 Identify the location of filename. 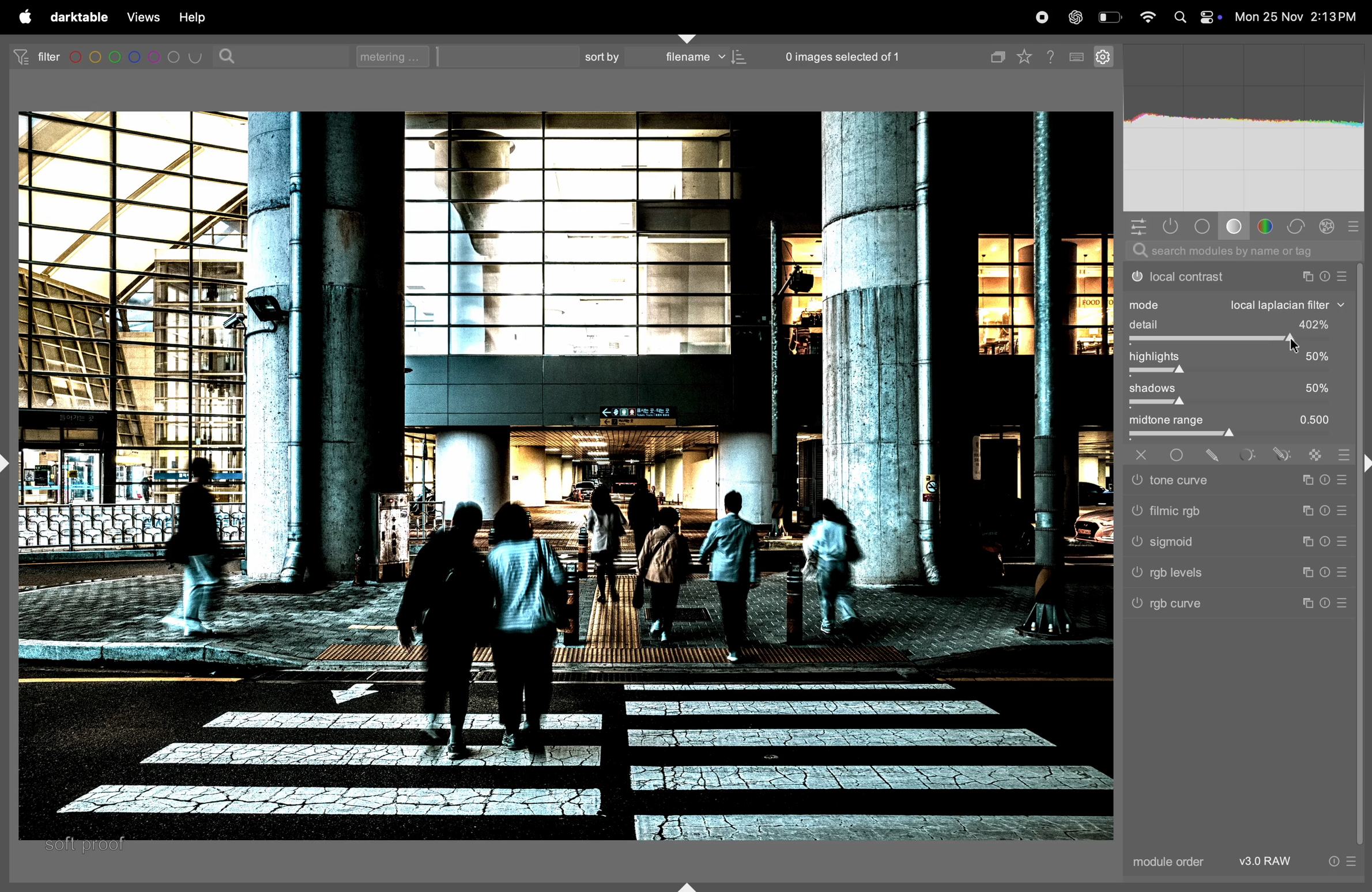
(701, 58).